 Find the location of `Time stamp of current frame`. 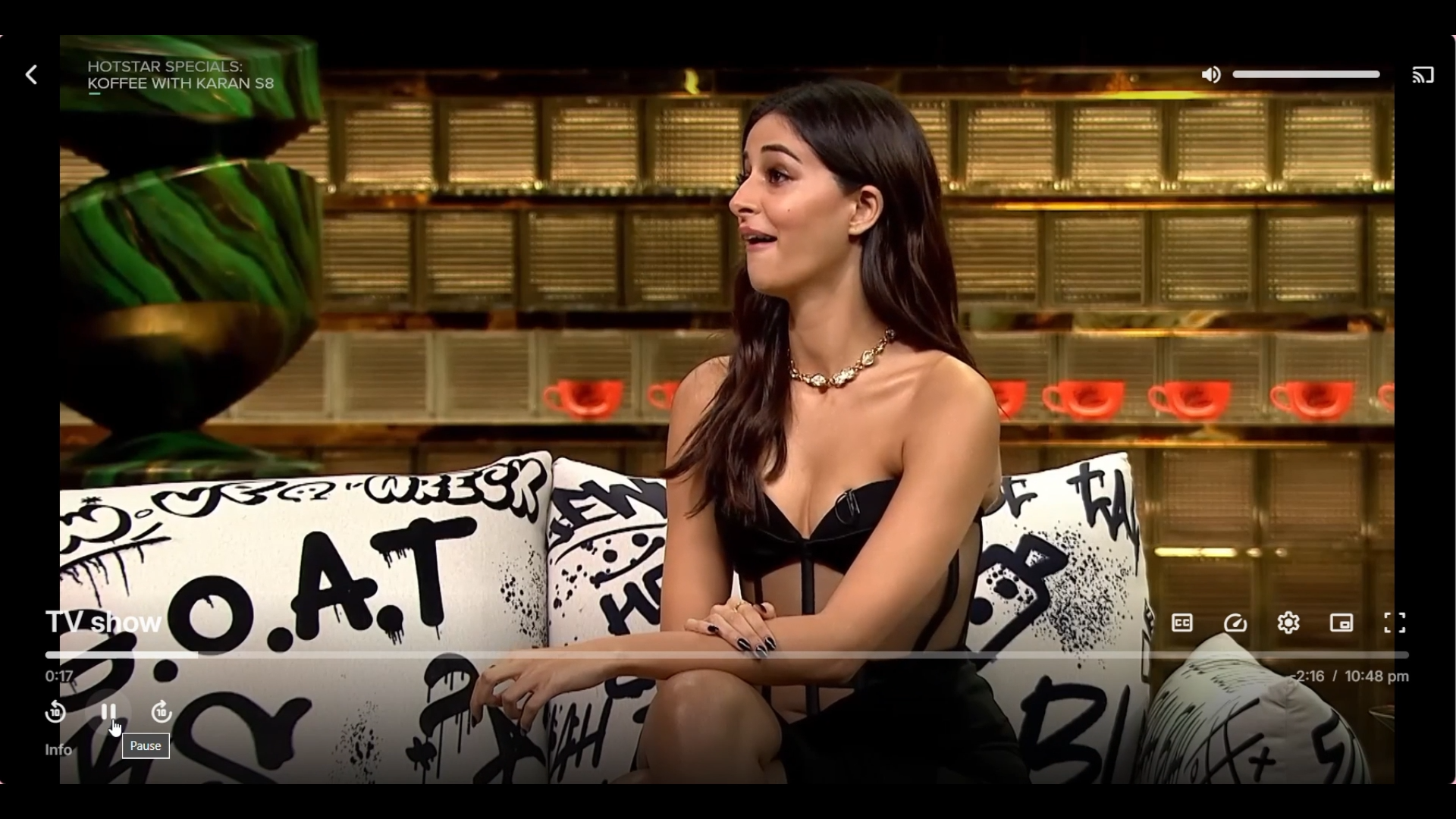

Time stamp of current frame is located at coordinates (60, 676).